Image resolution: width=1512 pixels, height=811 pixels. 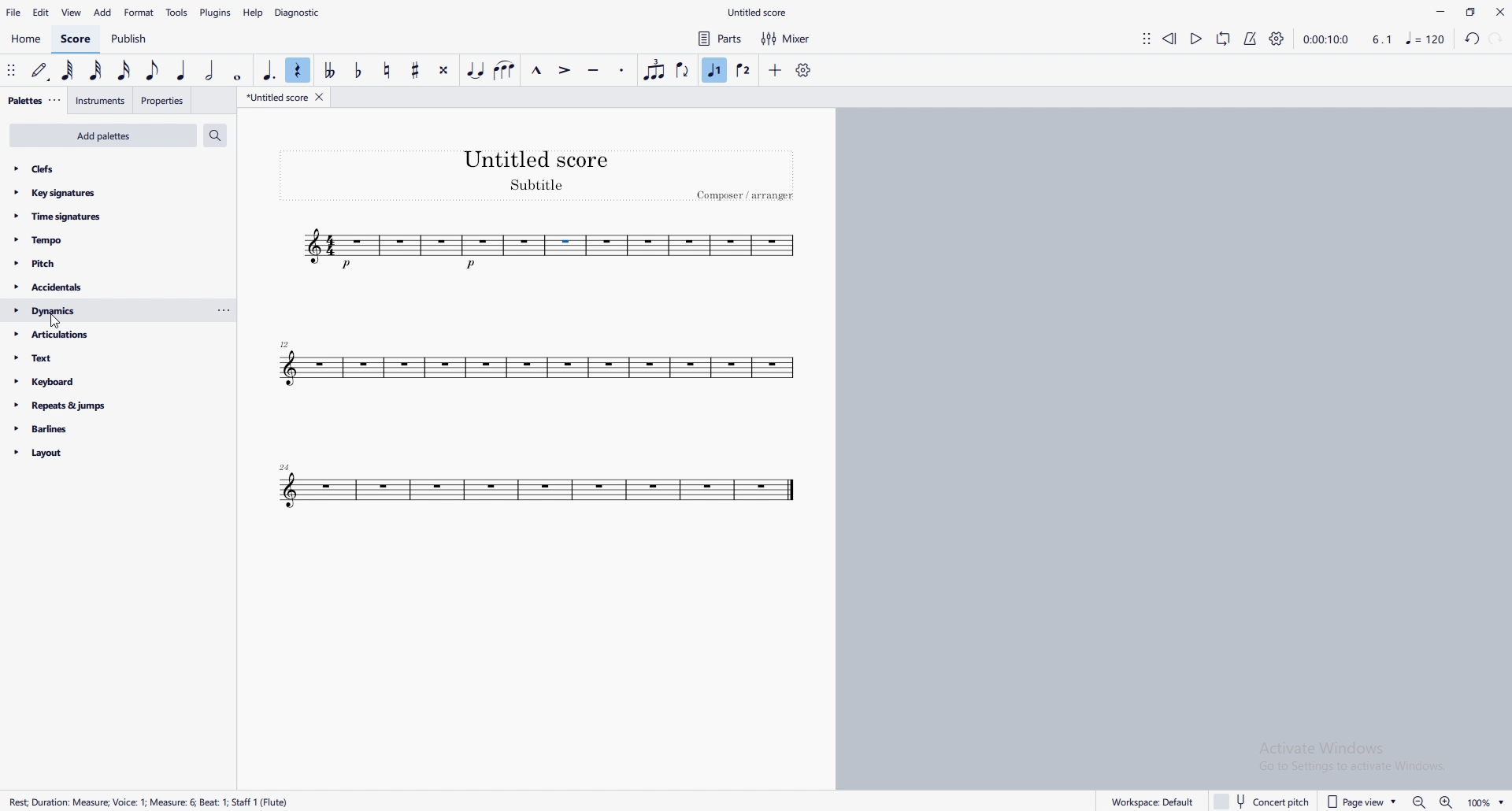 I want to click on concert pitch, so click(x=1262, y=801).